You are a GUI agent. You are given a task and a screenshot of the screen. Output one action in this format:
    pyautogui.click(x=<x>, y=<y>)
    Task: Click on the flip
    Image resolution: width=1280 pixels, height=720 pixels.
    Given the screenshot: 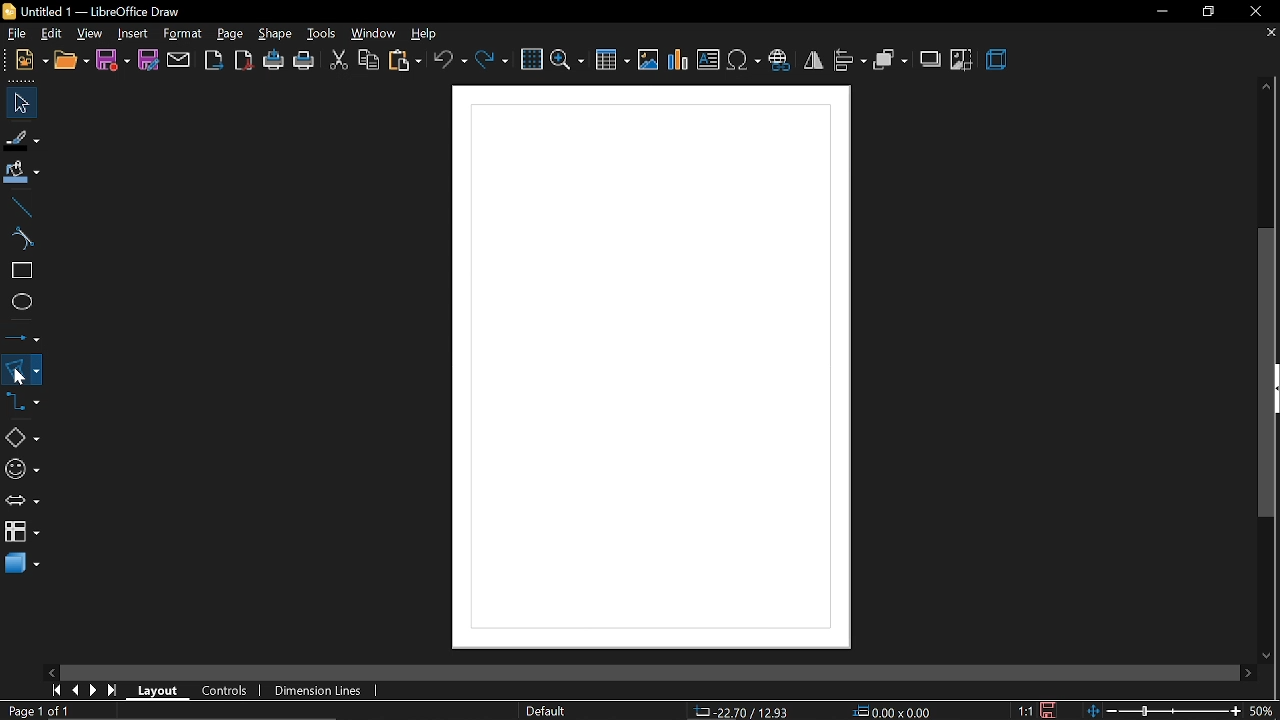 What is the action you would take?
    pyautogui.click(x=814, y=61)
    